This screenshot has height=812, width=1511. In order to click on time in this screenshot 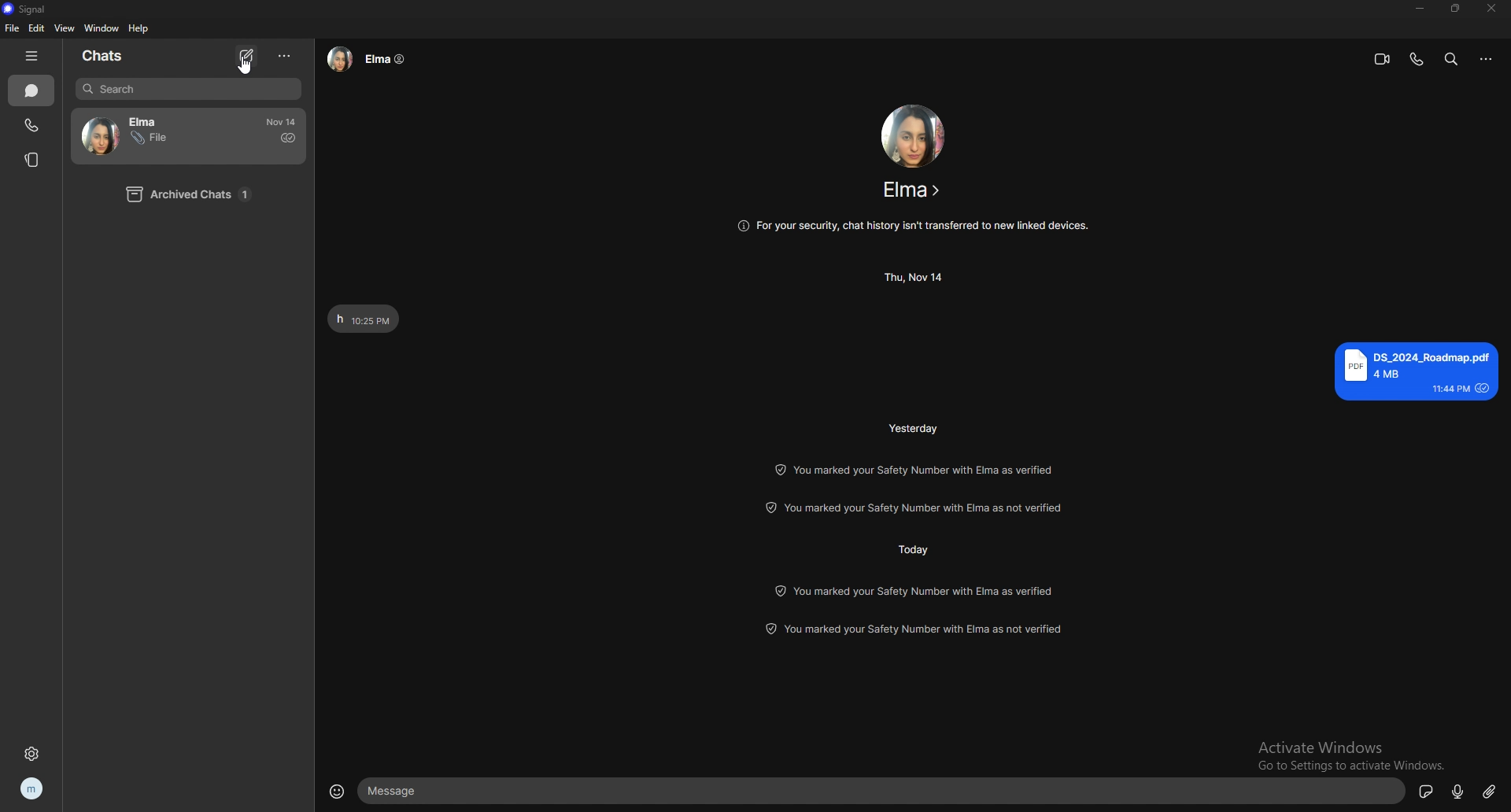, I will do `click(916, 427)`.